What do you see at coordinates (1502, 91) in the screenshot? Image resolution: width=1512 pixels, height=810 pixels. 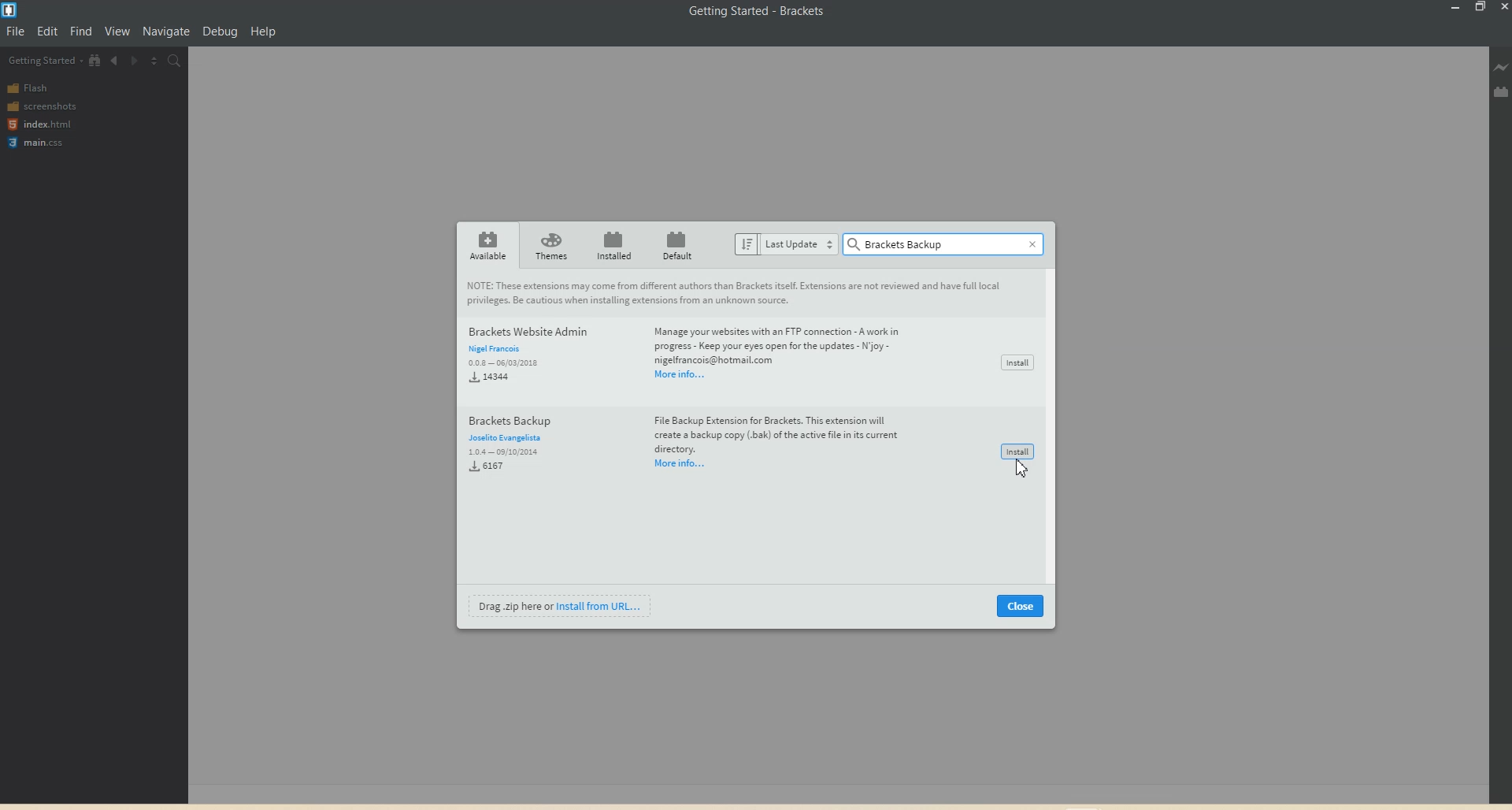 I see `Extension manager` at bounding box center [1502, 91].